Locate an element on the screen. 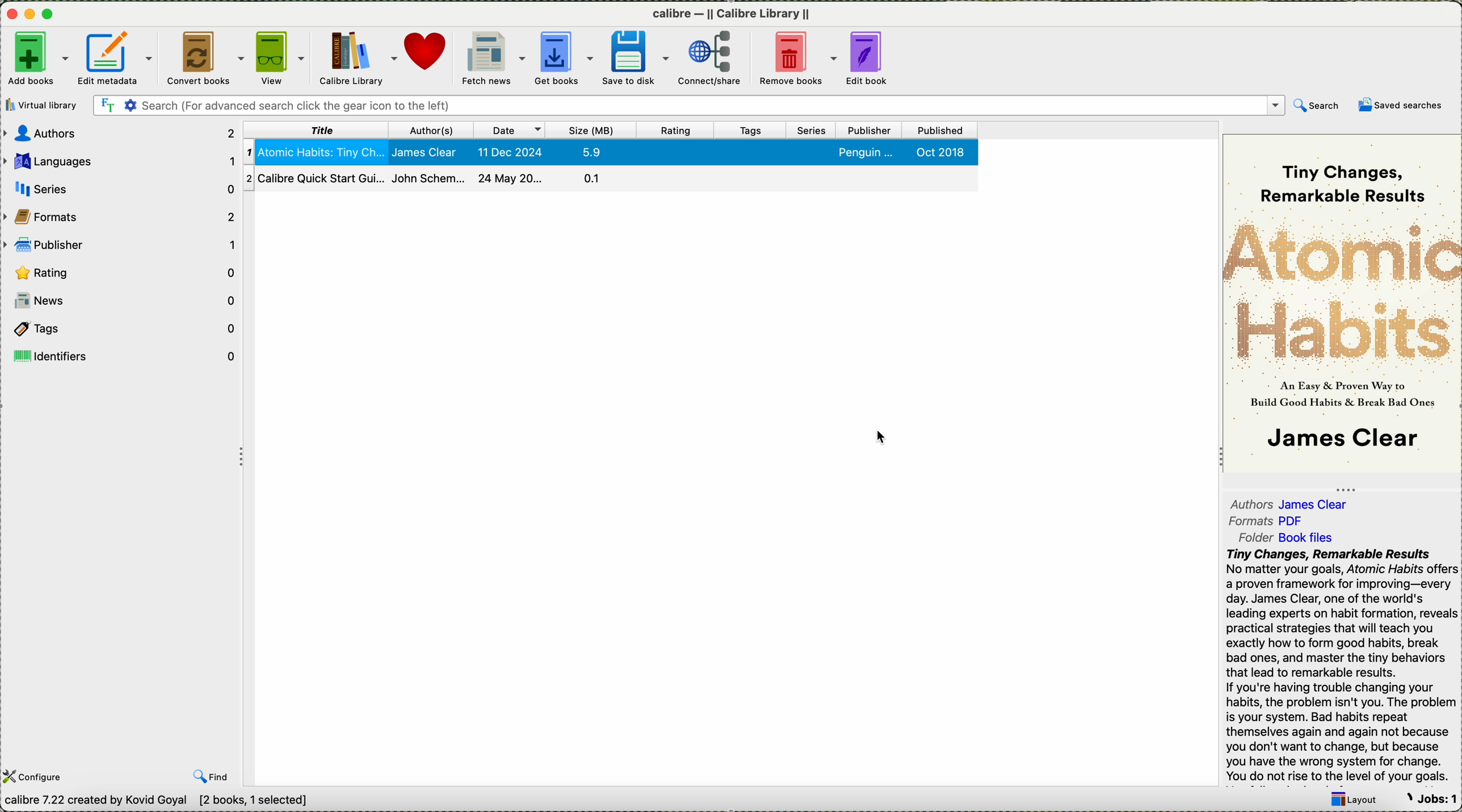 Image resolution: width=1462 pixels, height=812 pixels. save to disk is located at coordinates (638, 59).